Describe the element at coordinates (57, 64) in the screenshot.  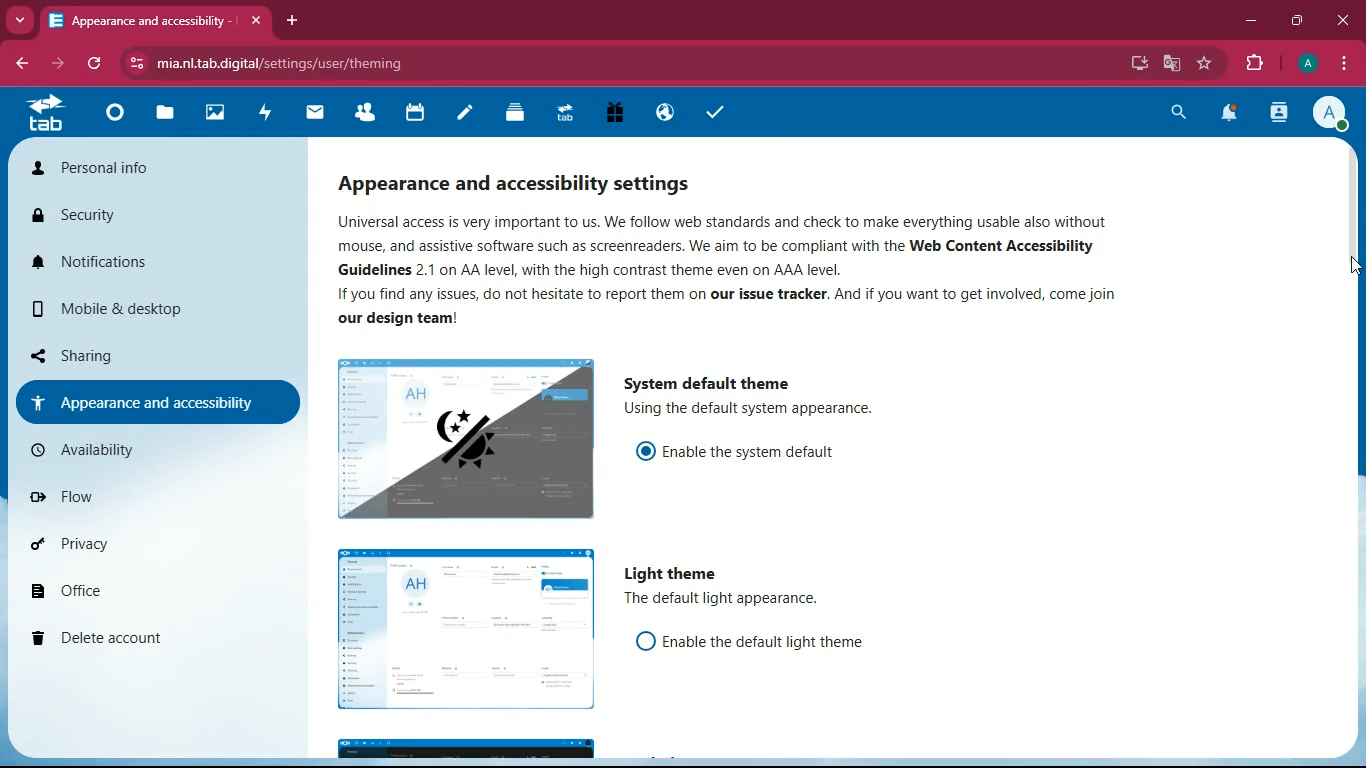
I see `forward` at that location.